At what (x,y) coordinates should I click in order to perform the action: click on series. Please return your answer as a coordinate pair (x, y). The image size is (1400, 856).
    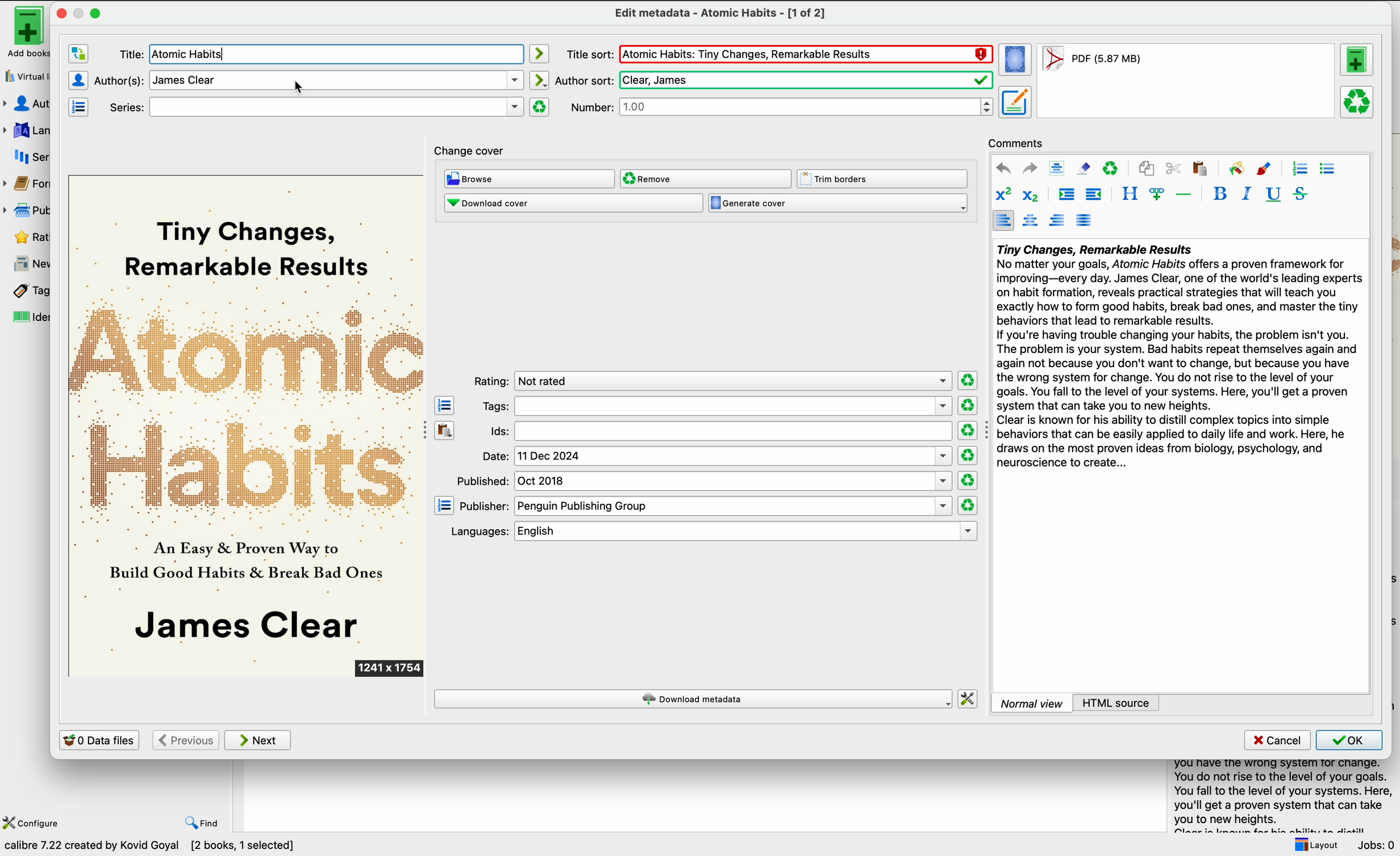
    Looking at the image, I should click on (311, 106).